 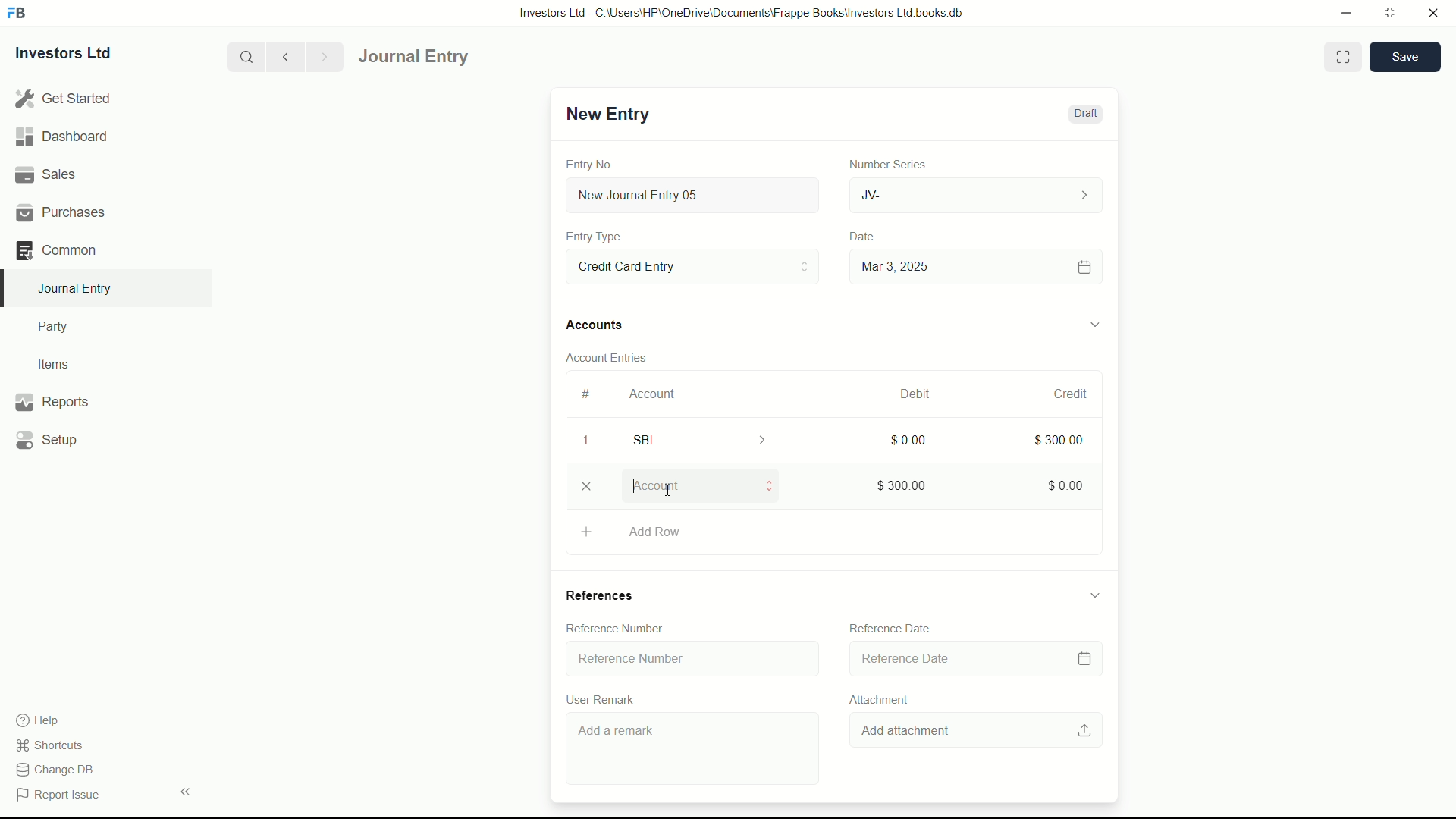 What do you see at coordinates (710, 439) in the screenshot?
I see `SBI` at bounding box center [710, 439].